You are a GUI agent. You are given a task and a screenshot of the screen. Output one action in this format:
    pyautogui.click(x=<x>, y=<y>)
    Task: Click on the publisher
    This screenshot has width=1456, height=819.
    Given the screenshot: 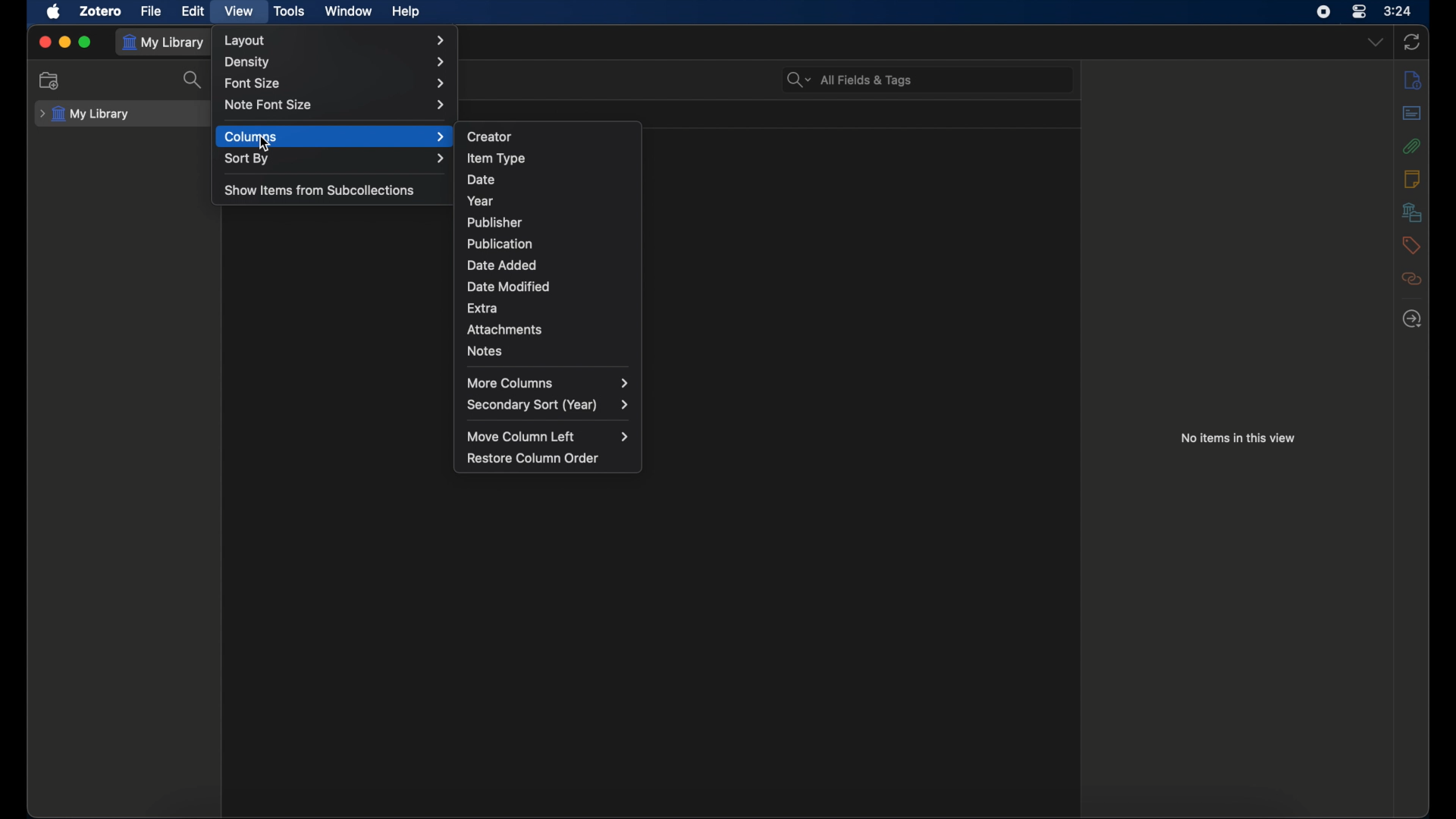 What is the action you would take?
    pyautogui.click(x=494, y=222)
    